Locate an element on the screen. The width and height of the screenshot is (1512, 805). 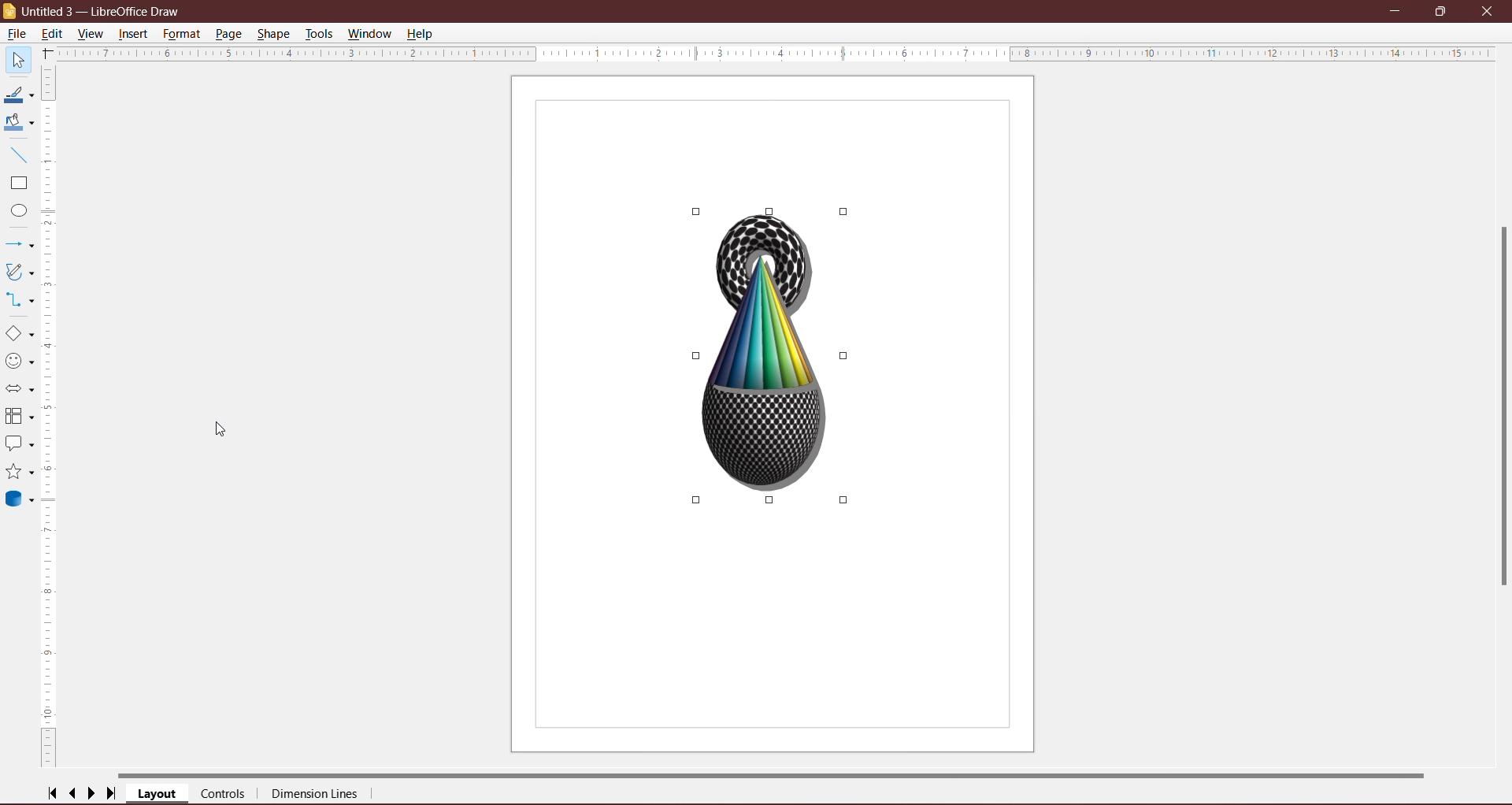
Application Logo is located at coordinates (9, 12).